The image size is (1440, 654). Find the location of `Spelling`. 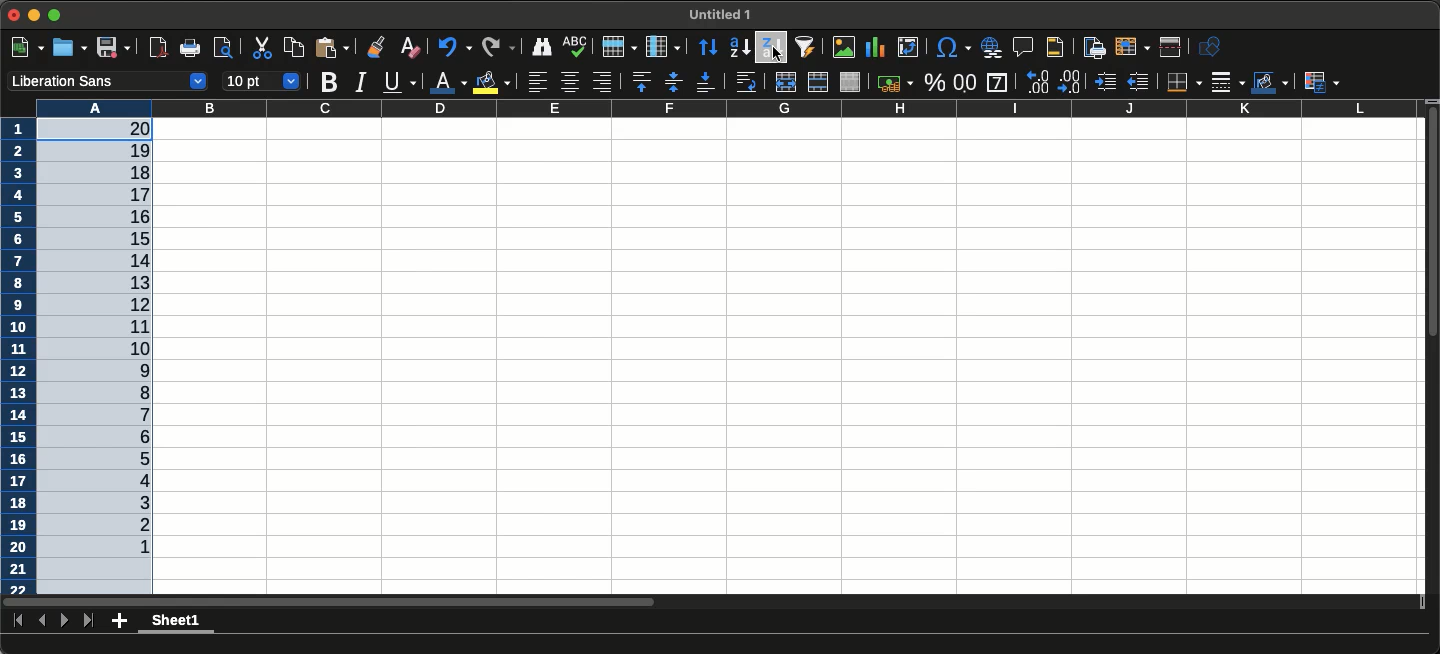

Spelling is located at coordinates (574, 45).